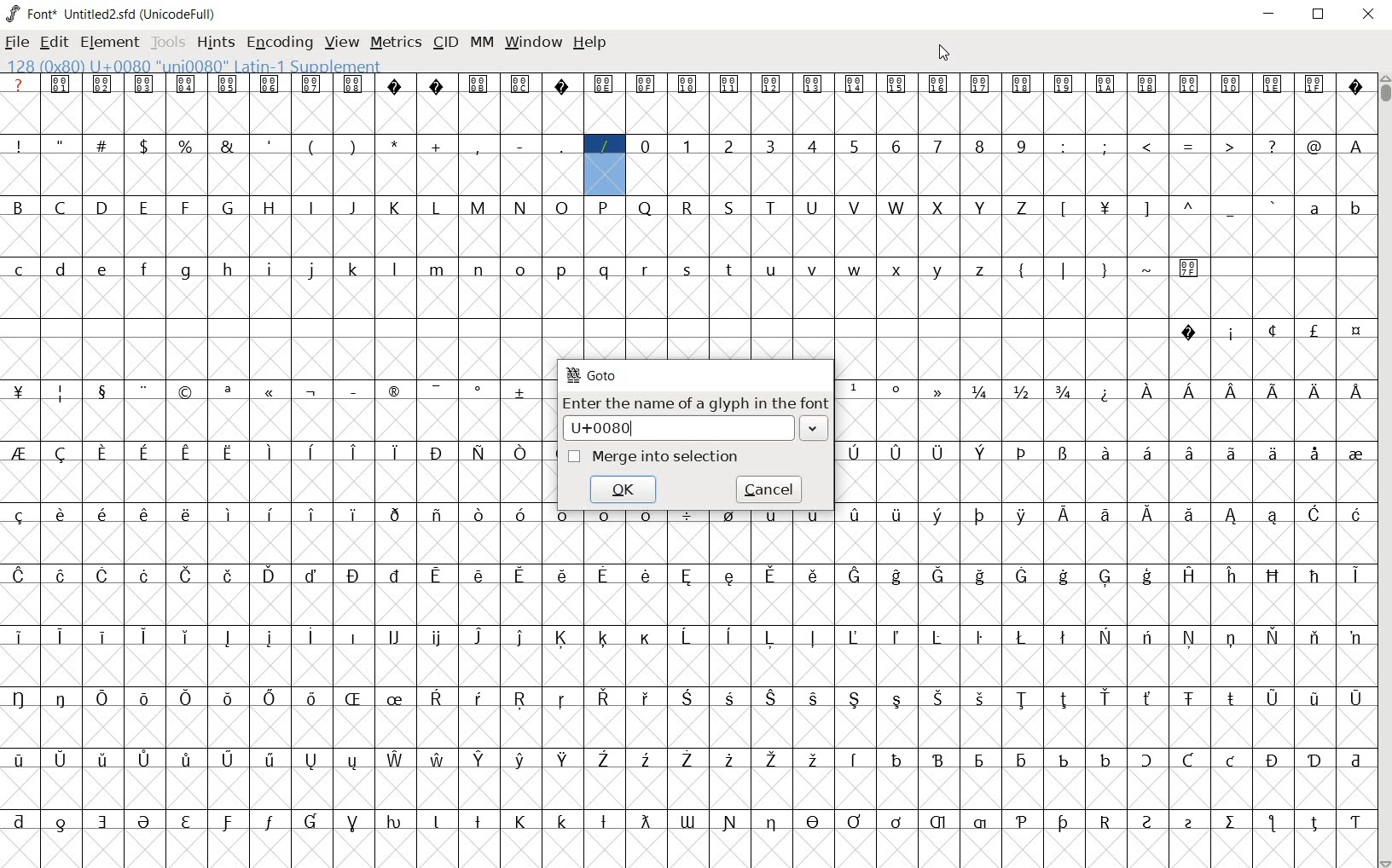 Image resolution: width=1392 pixels, height=868 pixels. What do you see at coordinates (478, 516) in the screenshot?
I see `glyph` at bounding box center [478, 516].